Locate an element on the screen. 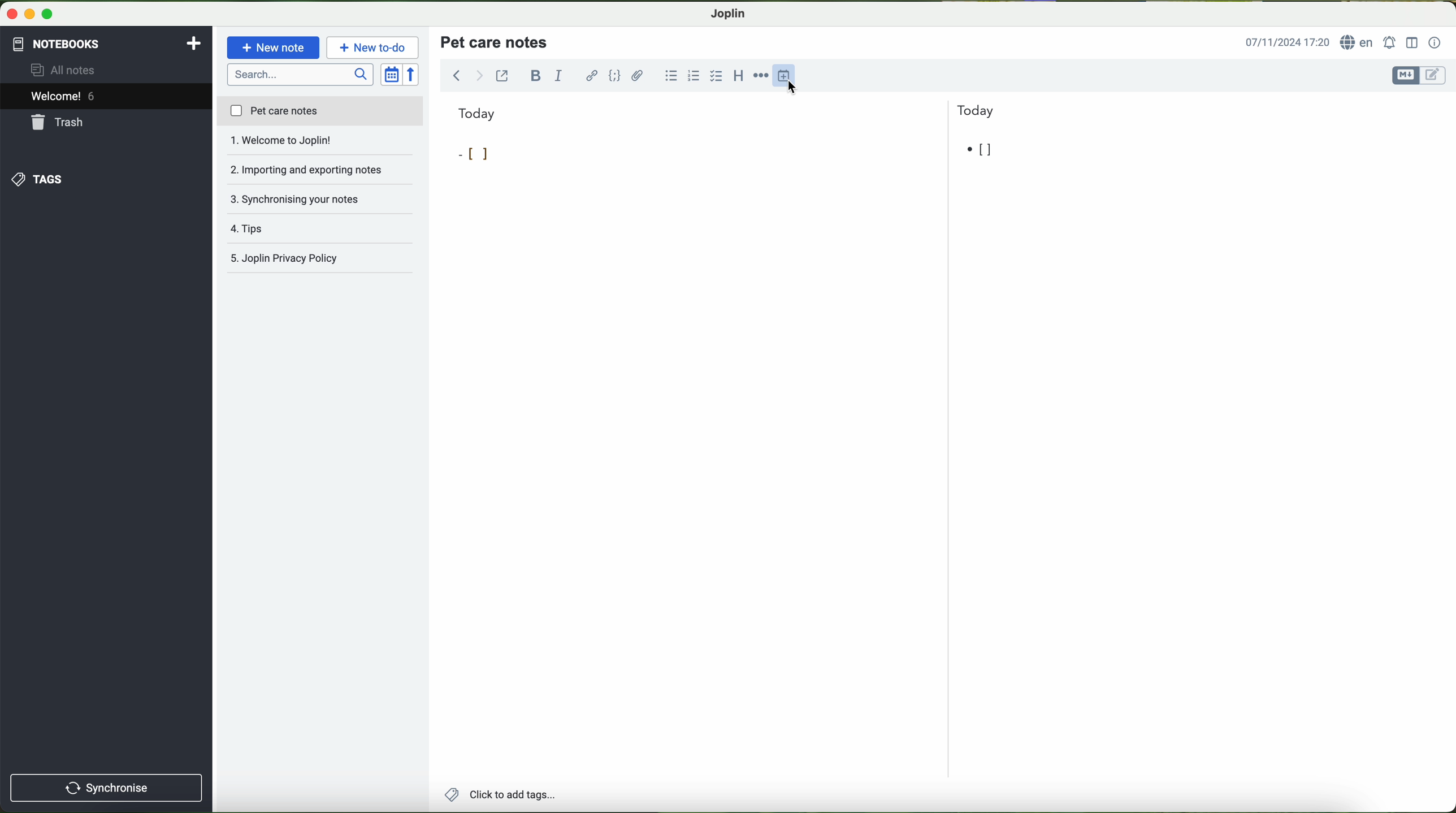 This screenshot has width=1456, height=813. synchronising your notes is located at coordinates (321, 171).